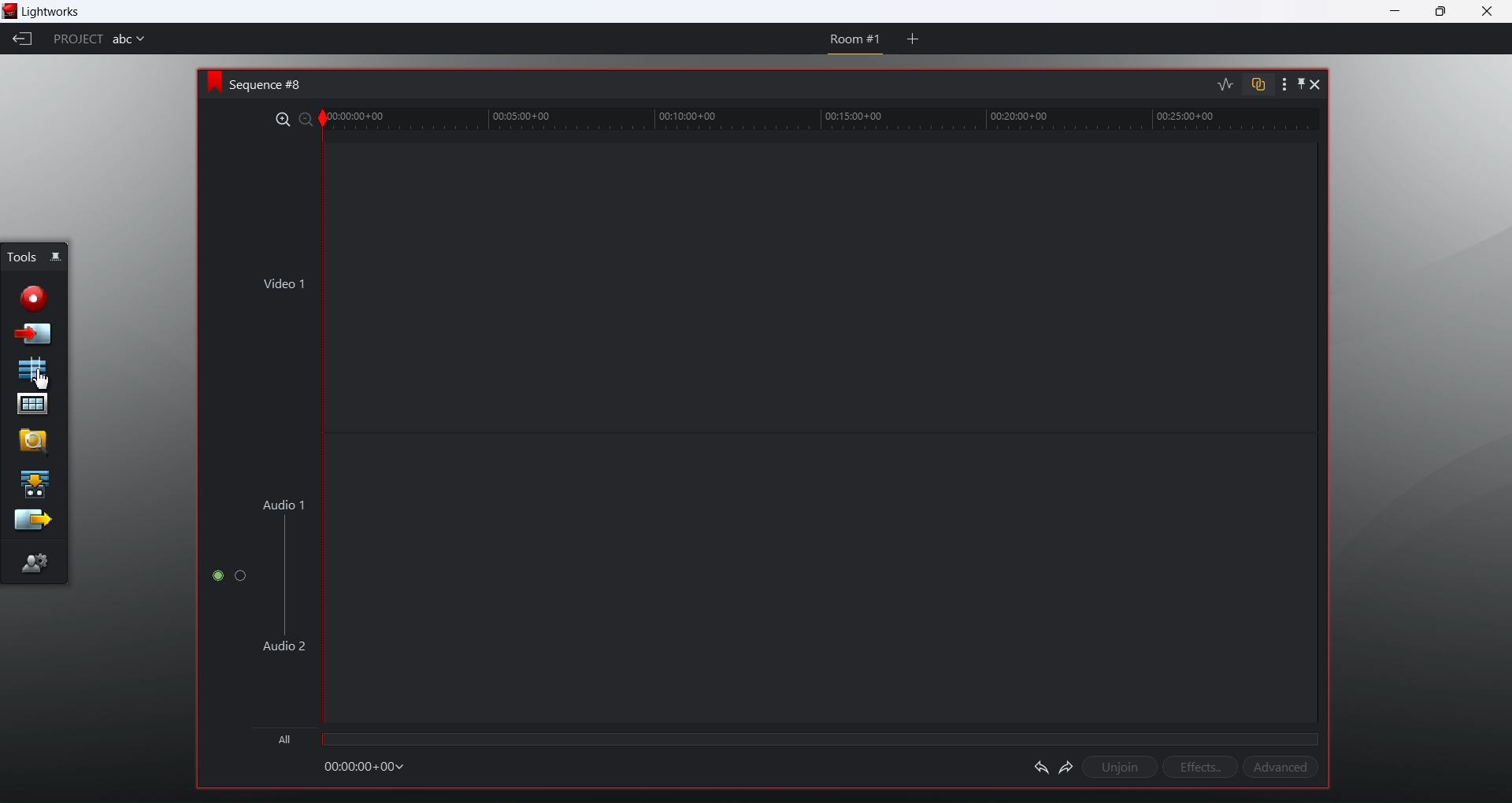 Image resolution: width=1512 pixels, height=803 pixels. Describe the element at coordinates (35, 483) in the screenshot. I see `play a sequence` at that location.